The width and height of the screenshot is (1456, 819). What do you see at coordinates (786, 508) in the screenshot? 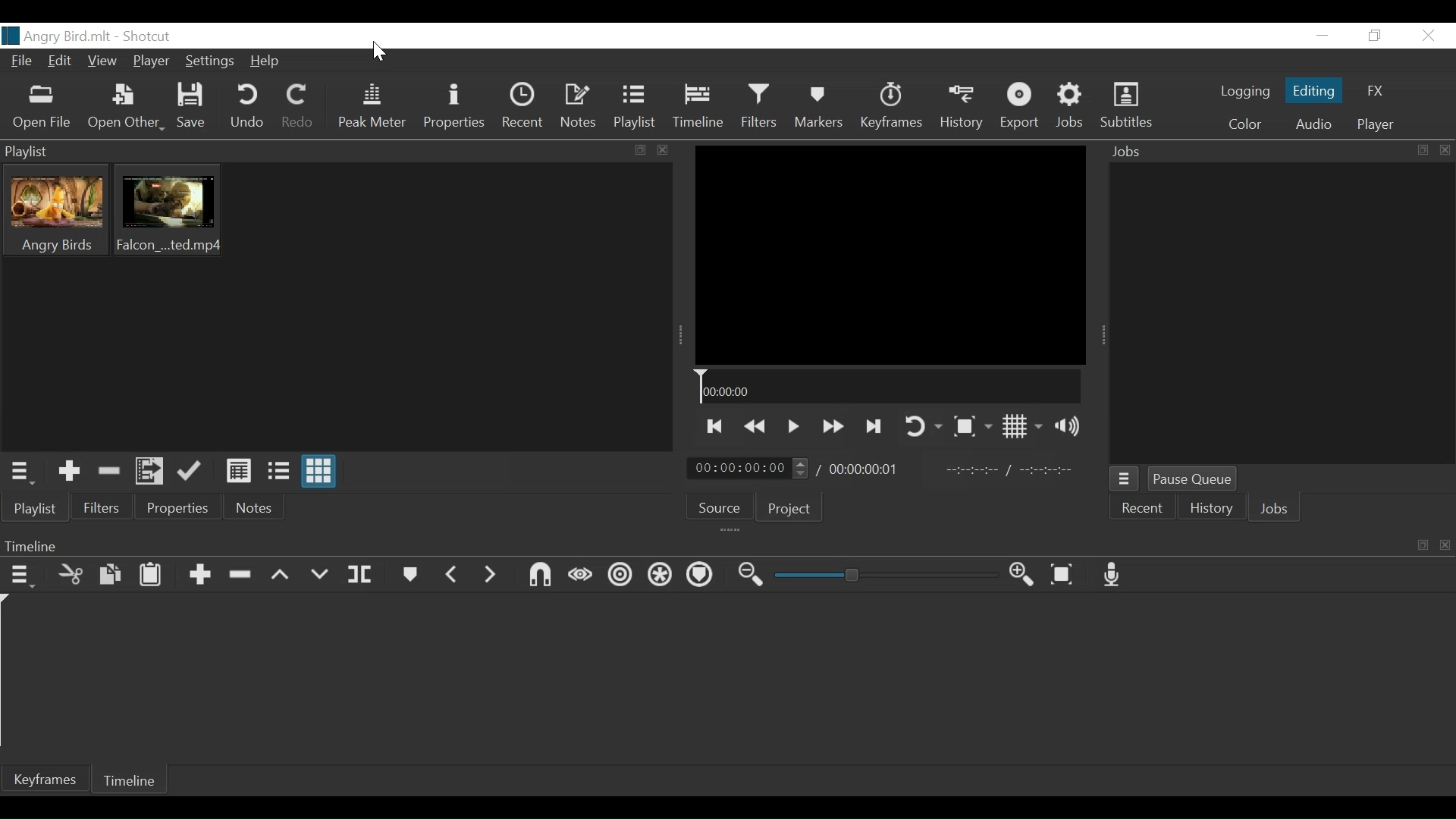
I see `Project` at bounding box center [786, 508].